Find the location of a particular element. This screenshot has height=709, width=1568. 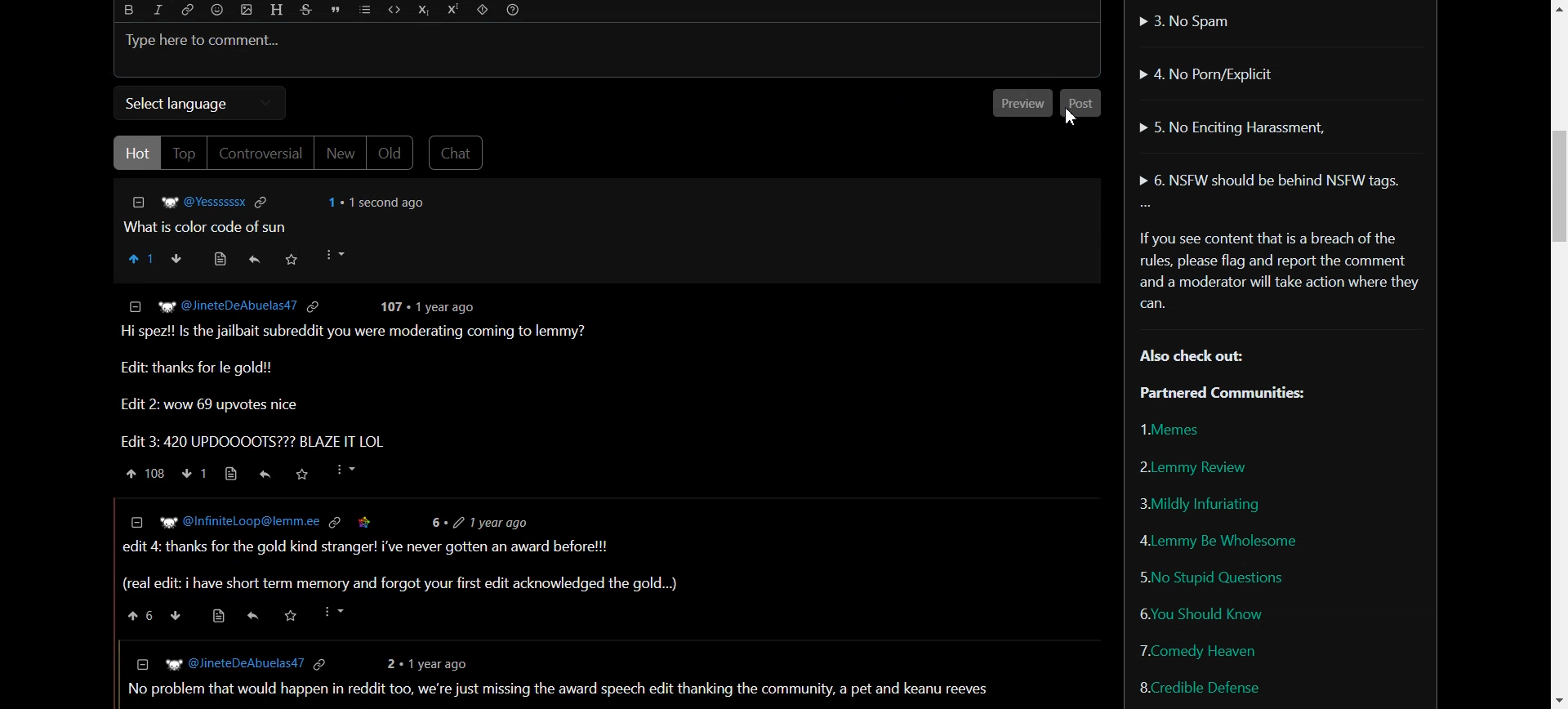

No Enciting Harassment, is located at coordinates (1235, 127).